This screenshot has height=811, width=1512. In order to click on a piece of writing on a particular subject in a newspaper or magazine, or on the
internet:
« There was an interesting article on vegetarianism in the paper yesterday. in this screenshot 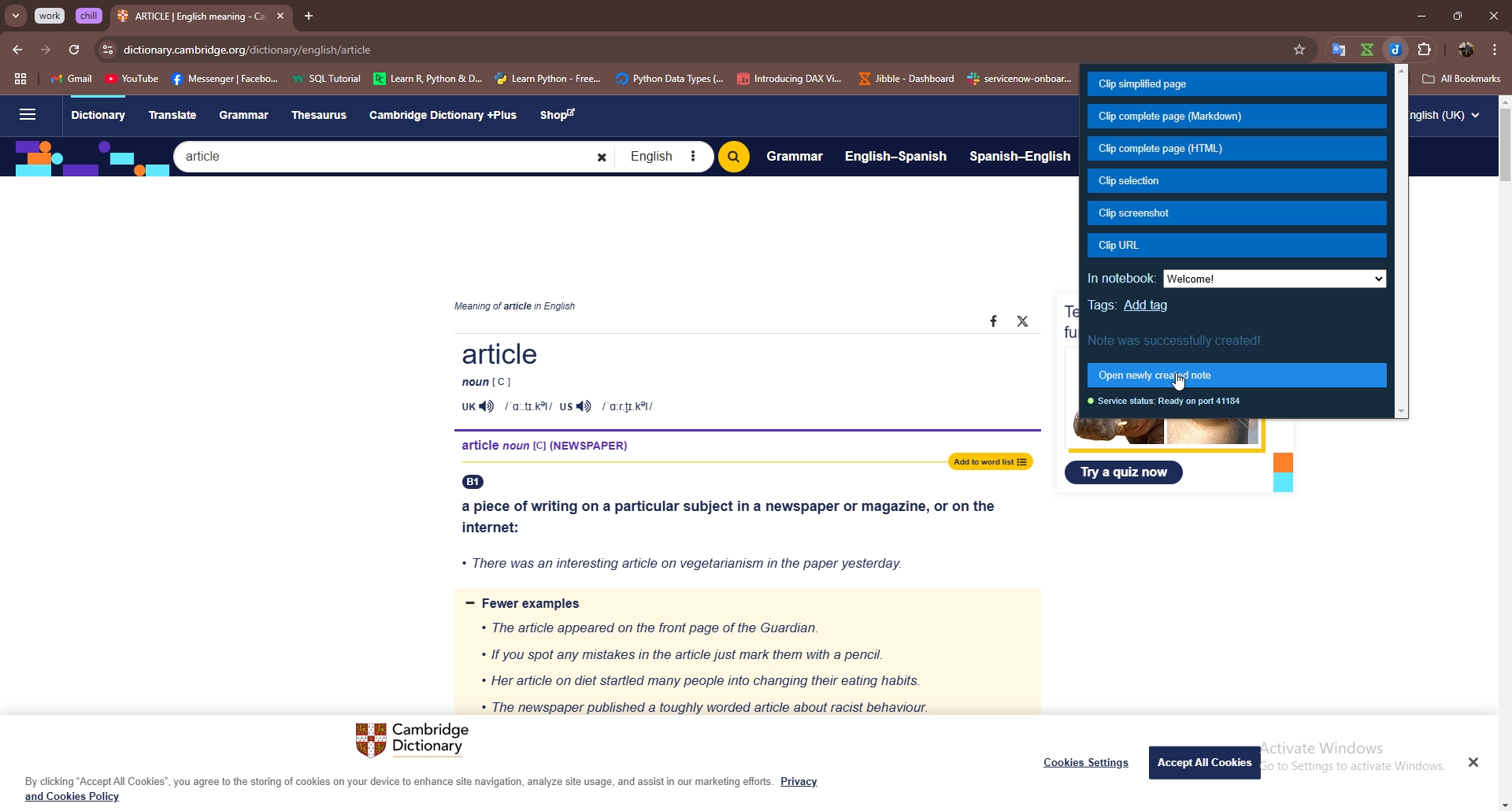, I will do `click(735, 530)`.